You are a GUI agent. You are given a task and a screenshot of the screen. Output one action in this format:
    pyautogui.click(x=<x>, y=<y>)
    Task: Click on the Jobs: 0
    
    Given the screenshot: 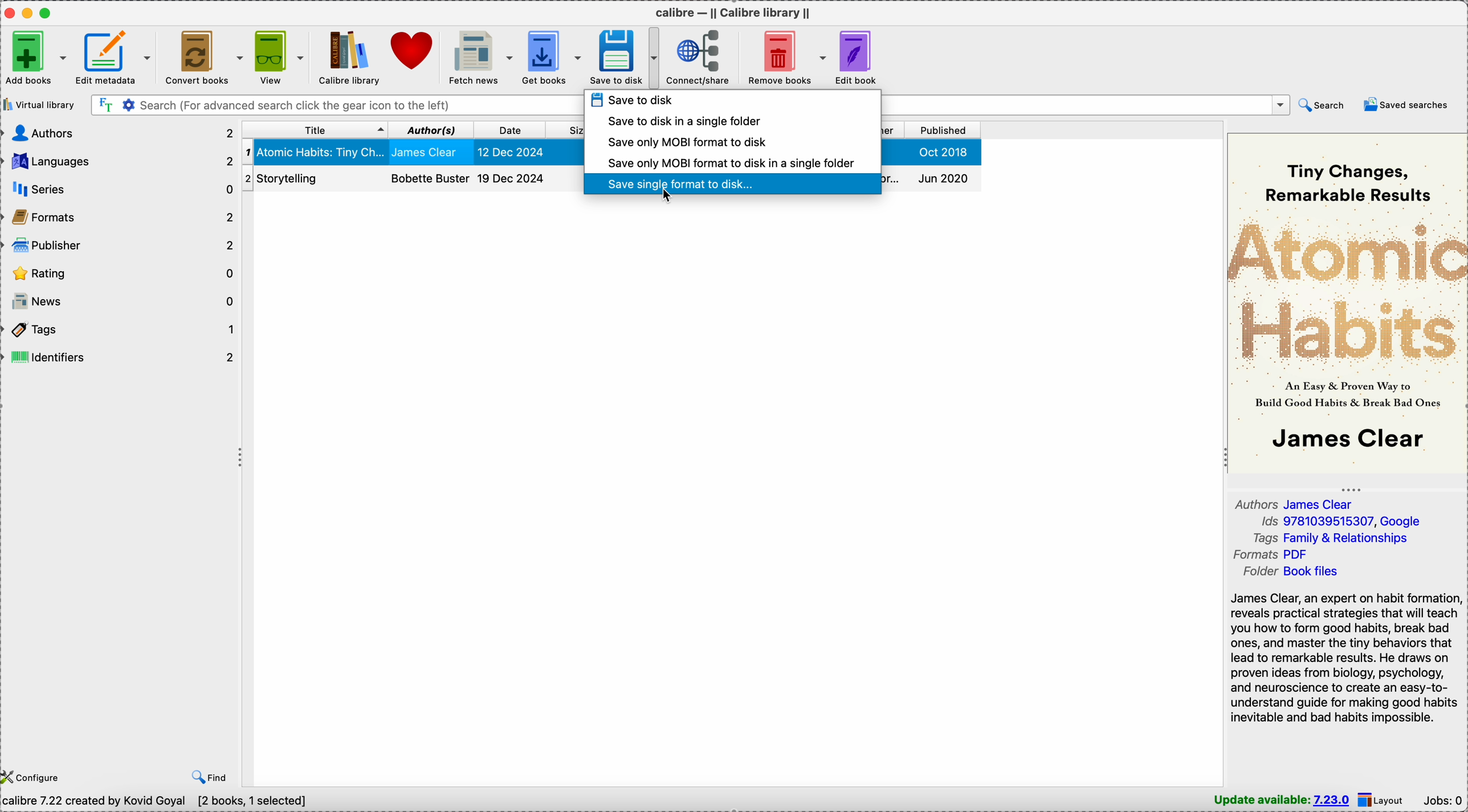 What is the action you would take?
    pyautogui.click(x=1442, y=799)
    